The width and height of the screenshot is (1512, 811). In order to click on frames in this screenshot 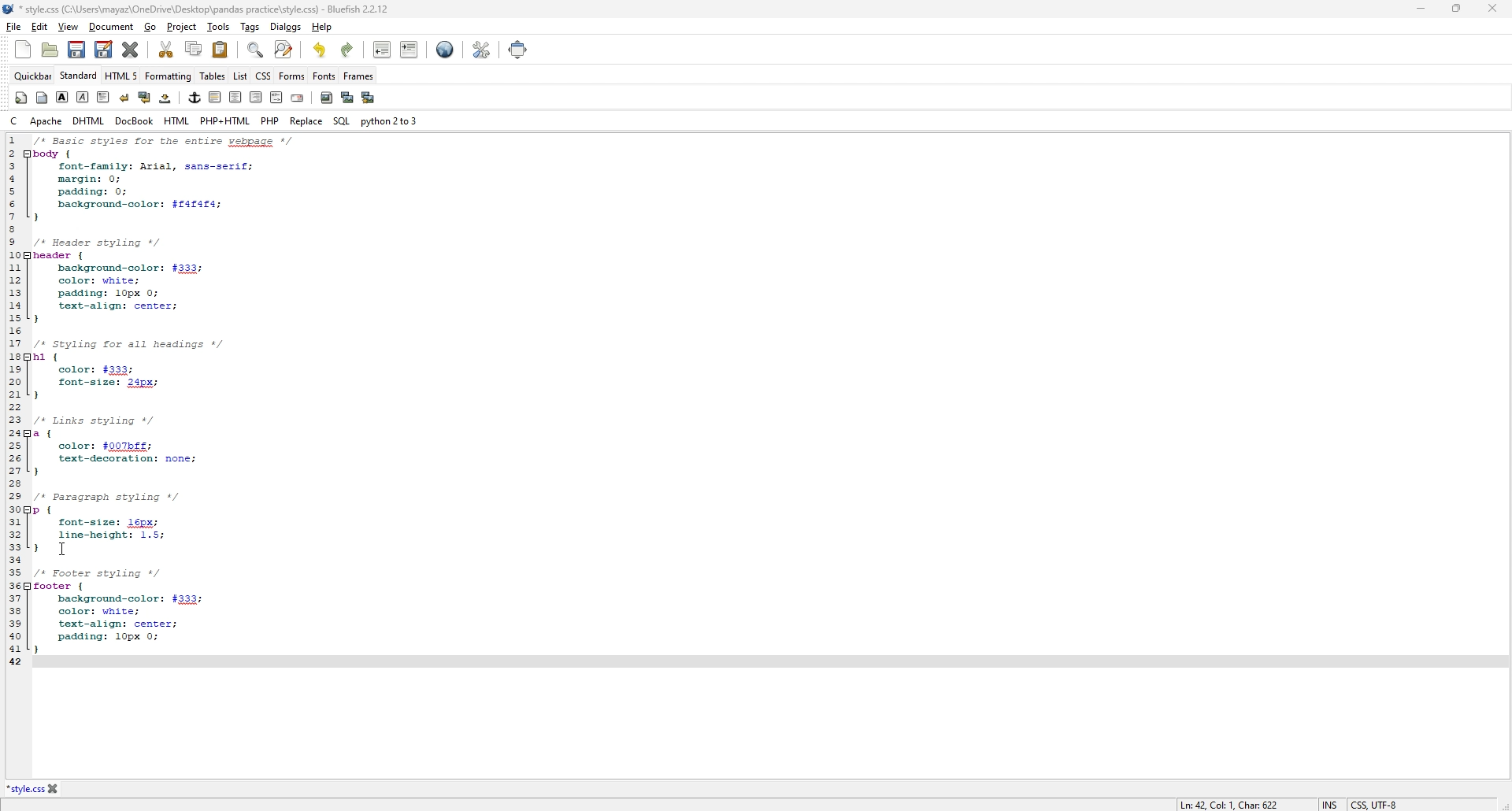, I will do `click(359, 76)`.